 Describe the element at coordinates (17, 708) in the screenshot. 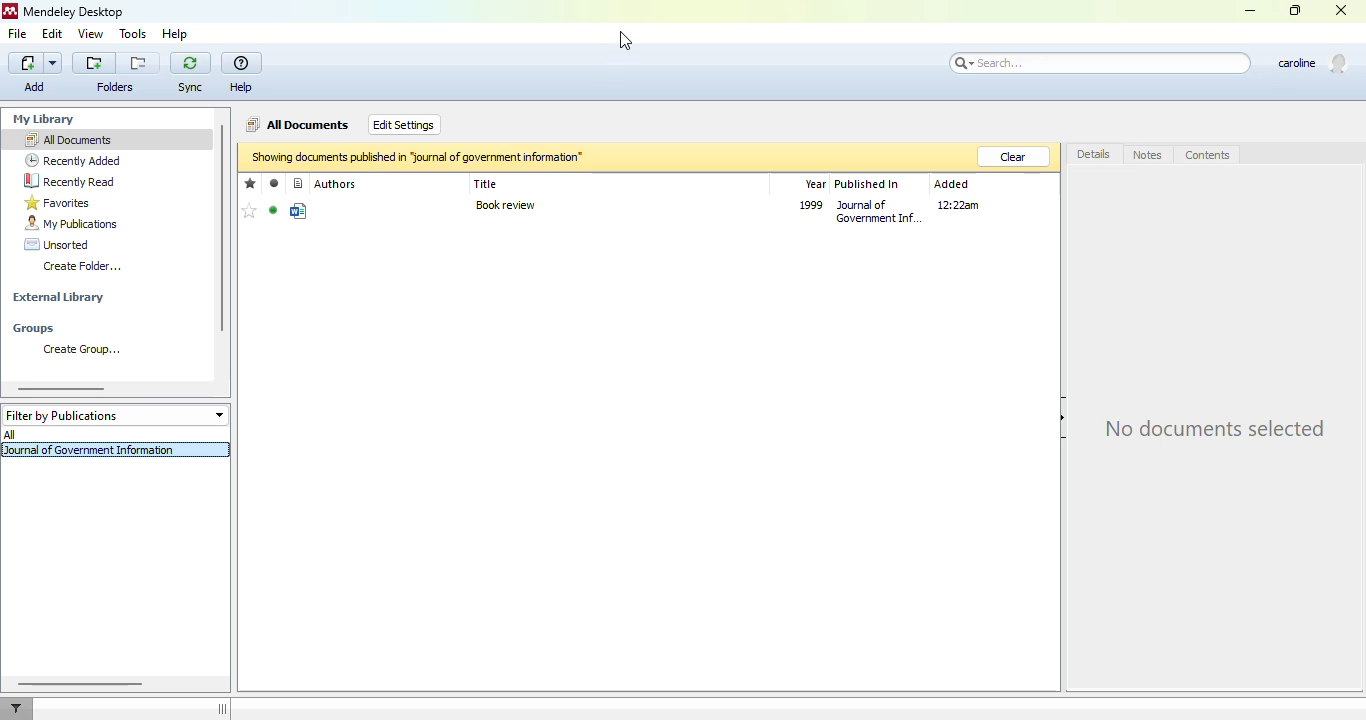

I see `filter documents by author, tag or publication.` at that location.